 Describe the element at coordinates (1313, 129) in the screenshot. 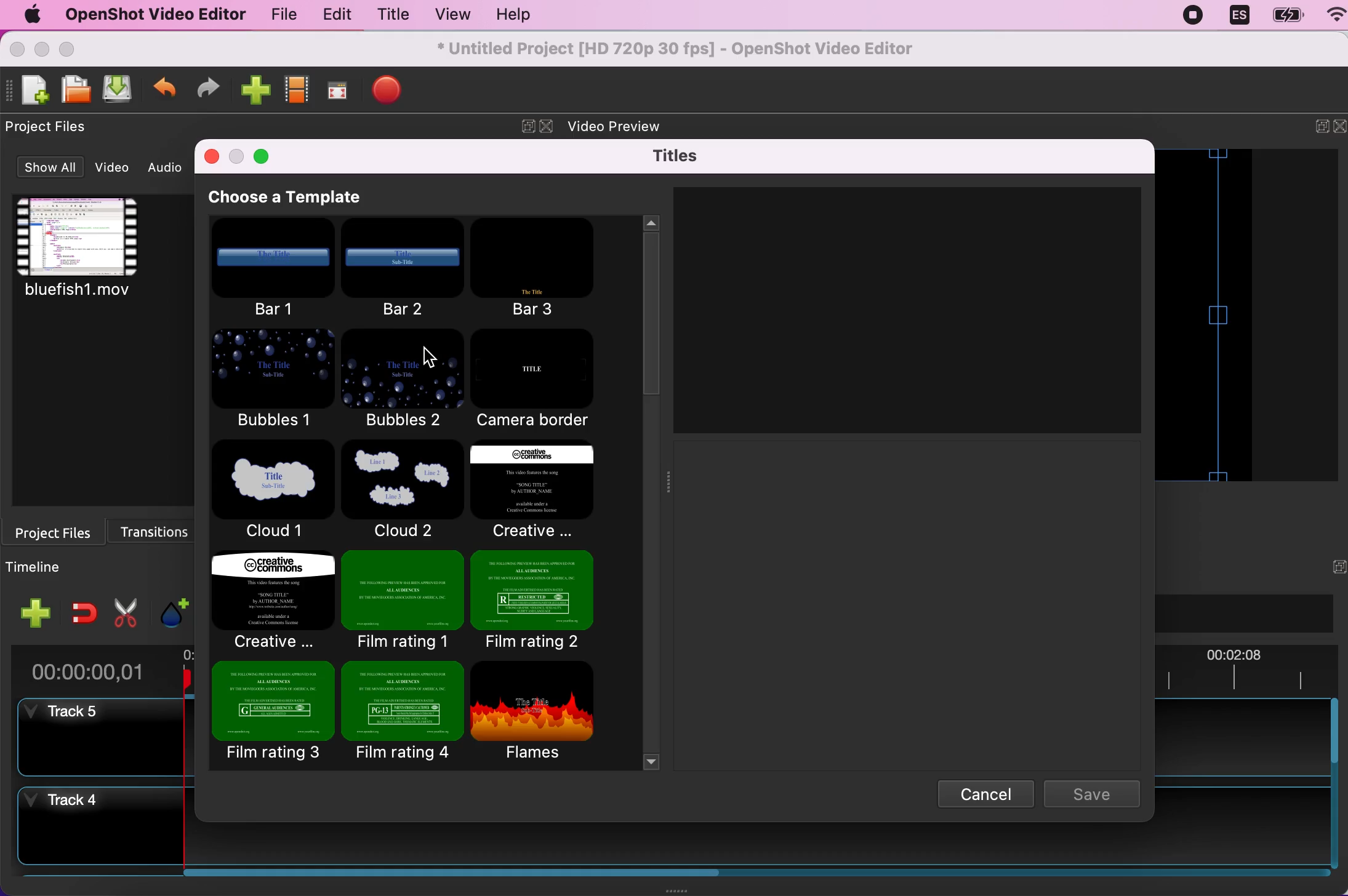

I see `expand/hide` at that location.